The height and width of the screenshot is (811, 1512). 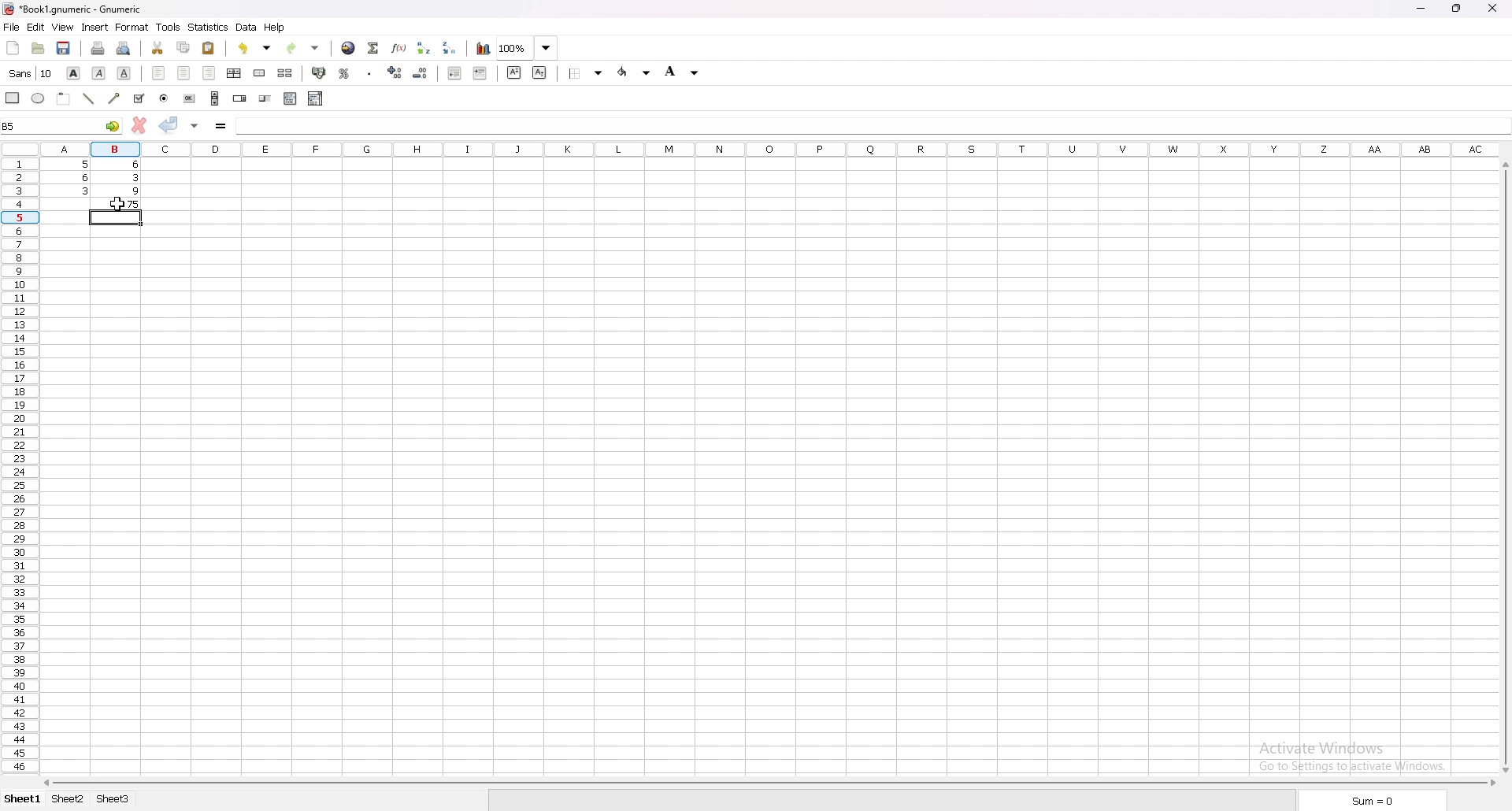 What do you see at coordinates (770, 148) in the screenshot?
I see `column` at bounding box center [770, 148].